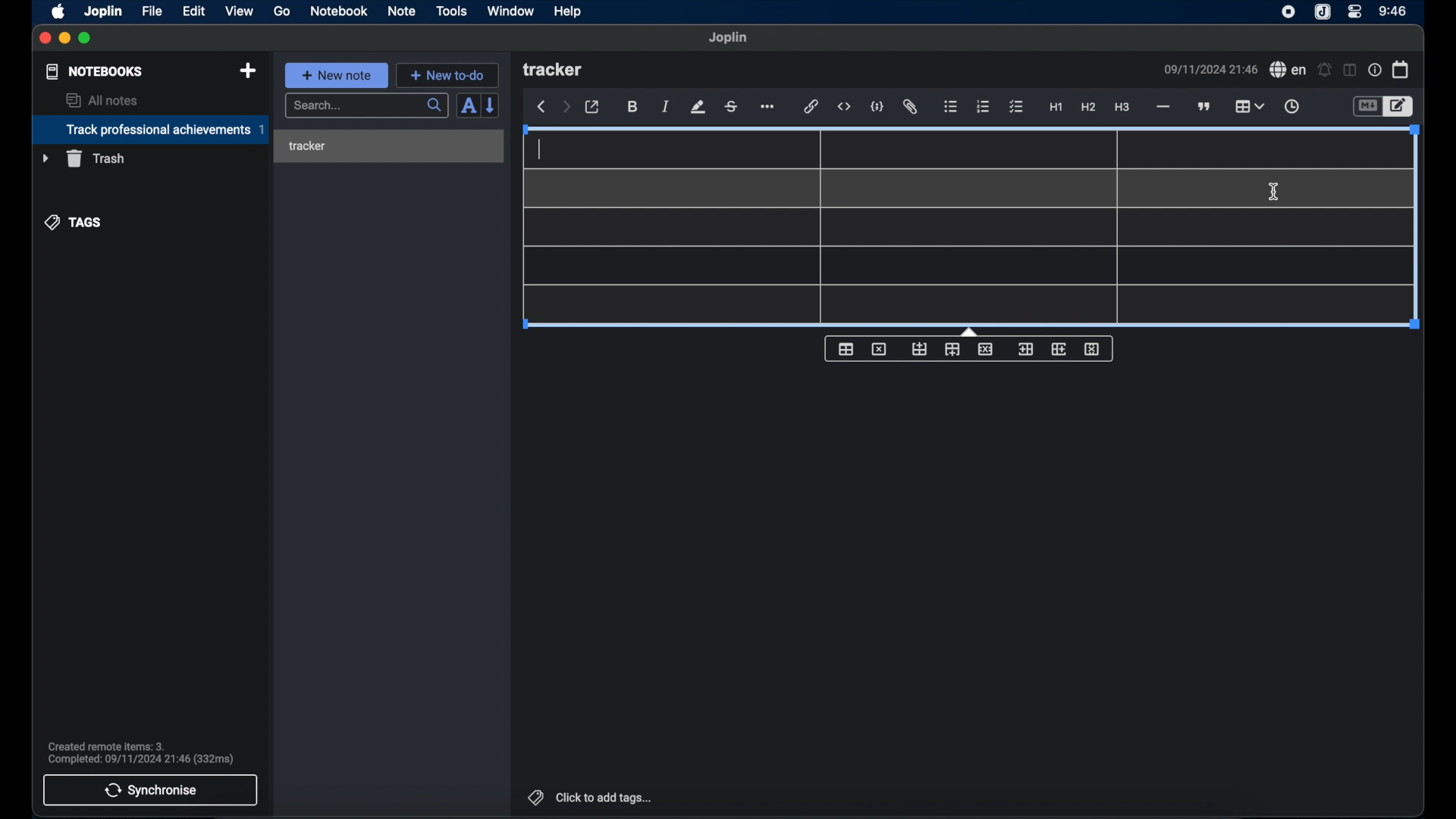  Describe the element at coordinates (879, 348) in the screenshot. I see `delet table` at that location.